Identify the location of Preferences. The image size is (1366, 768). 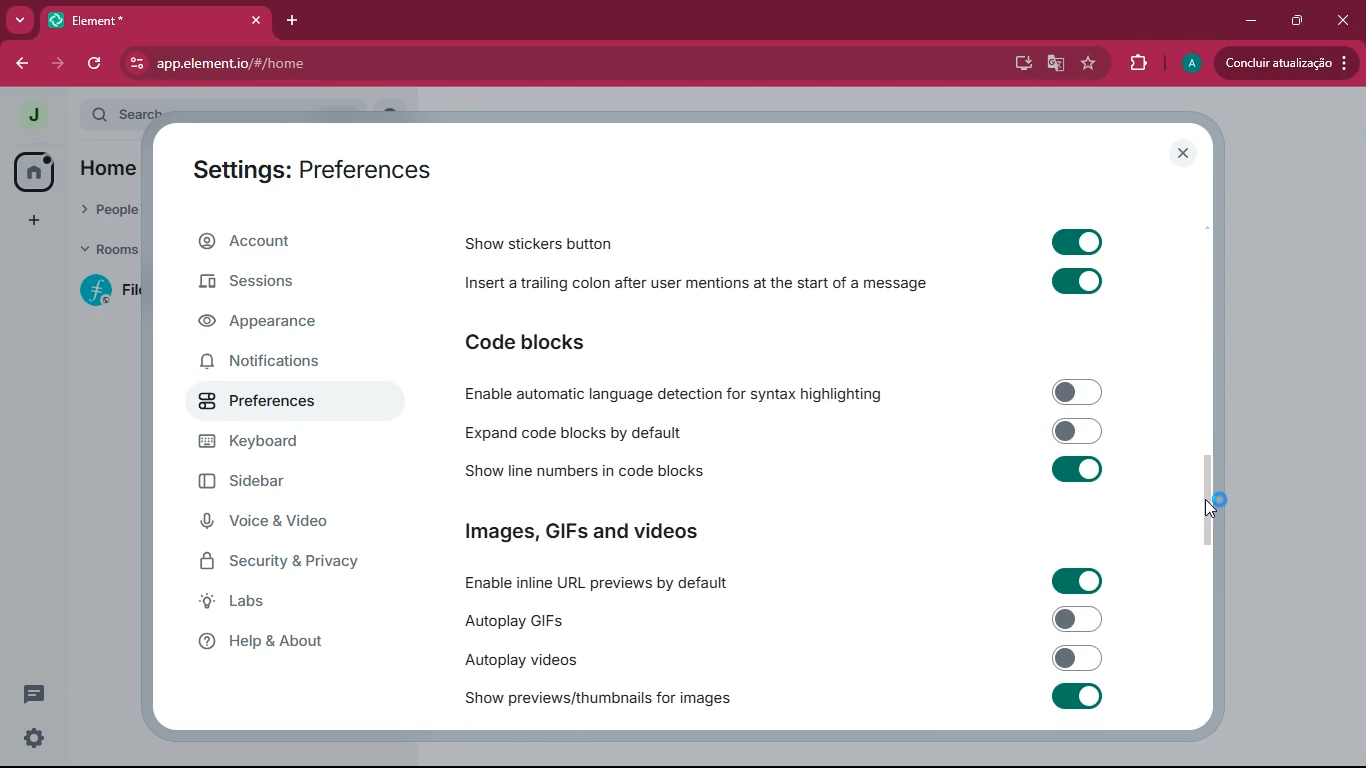
(298, 399).